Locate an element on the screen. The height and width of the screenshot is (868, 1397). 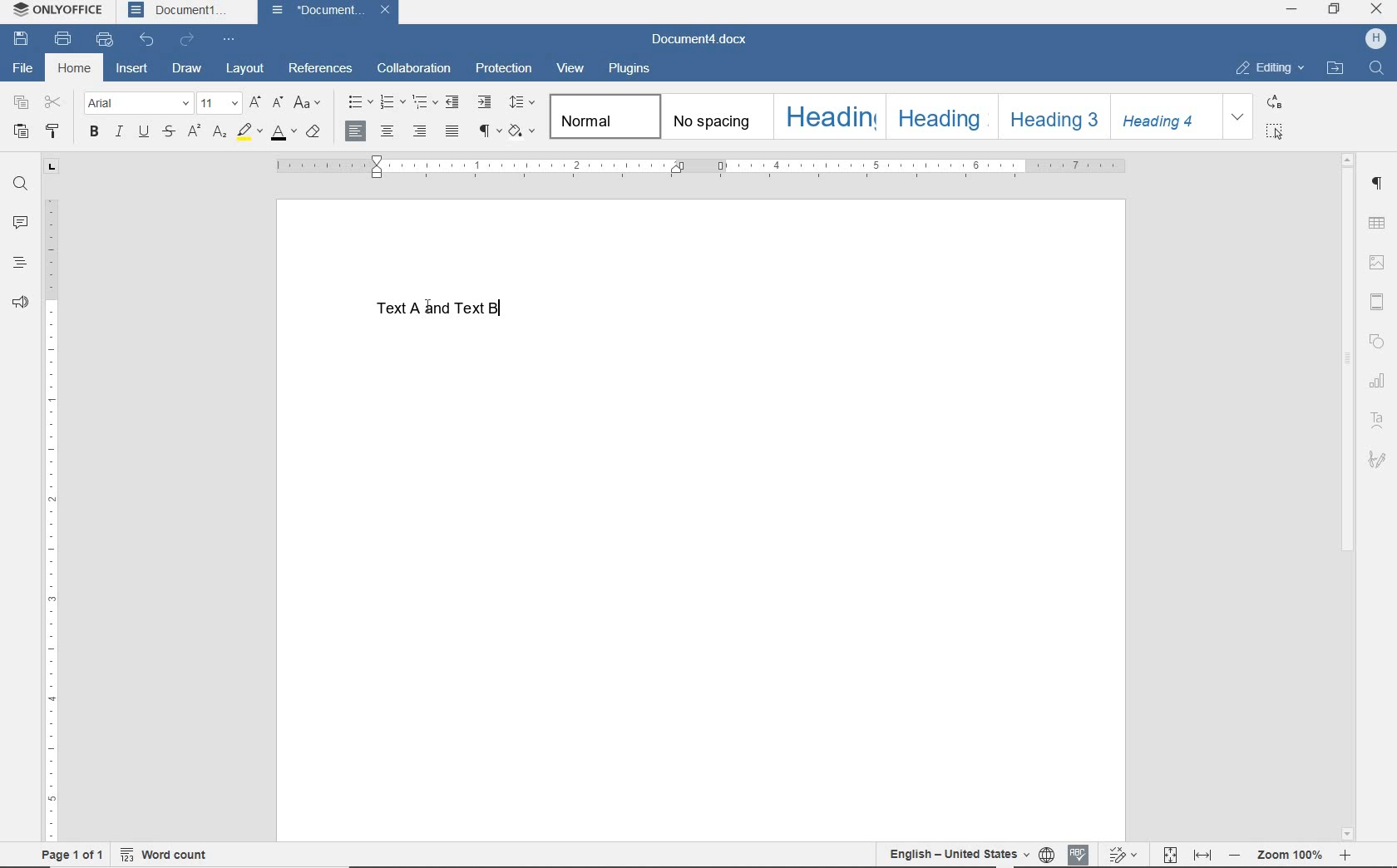
MULTILEVEL LIST is located at coordinates (425, 102).